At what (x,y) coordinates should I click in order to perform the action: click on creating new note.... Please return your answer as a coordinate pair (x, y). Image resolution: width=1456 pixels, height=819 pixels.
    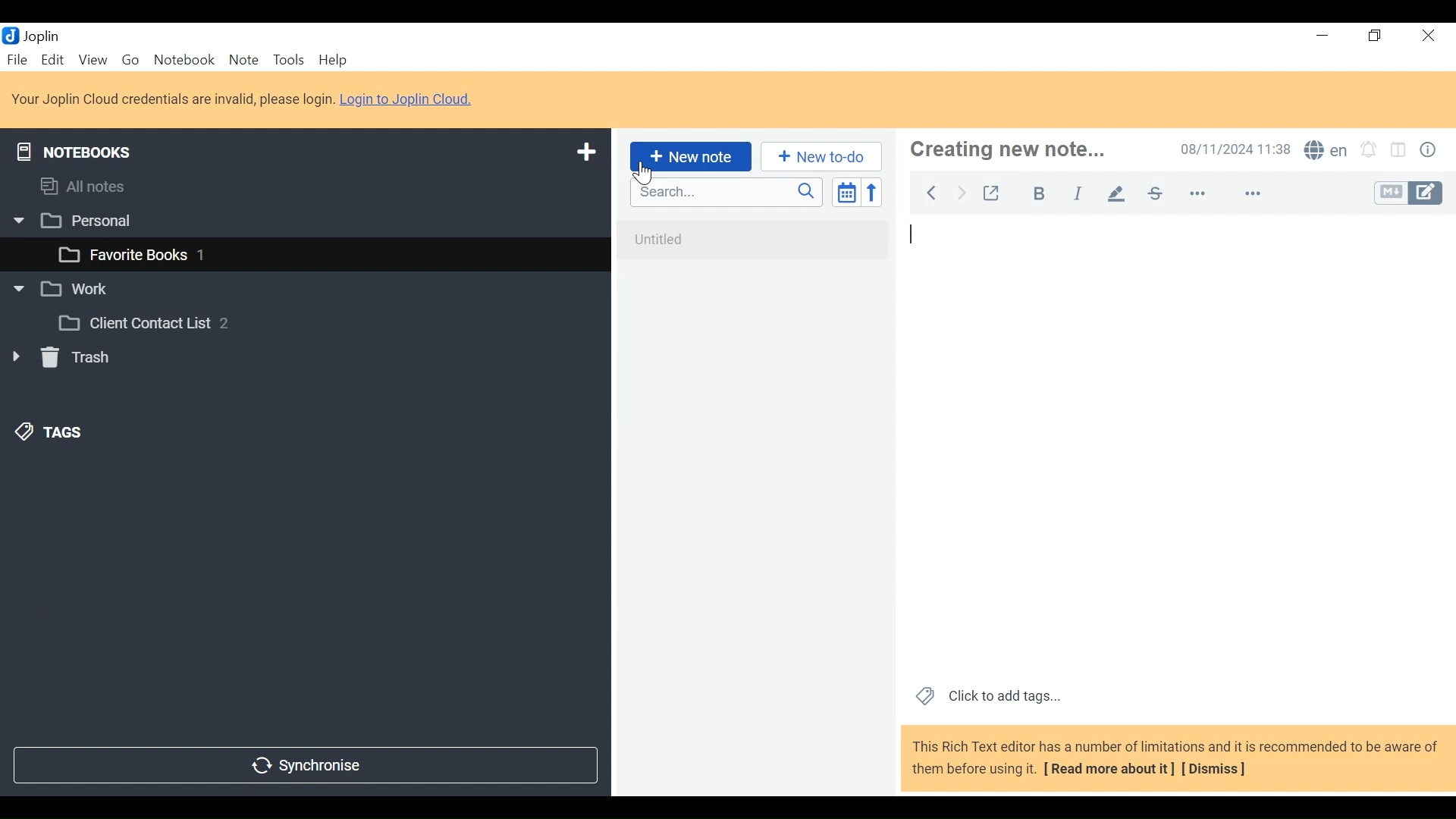
    Looking at the image, I should click on (1031, 150).